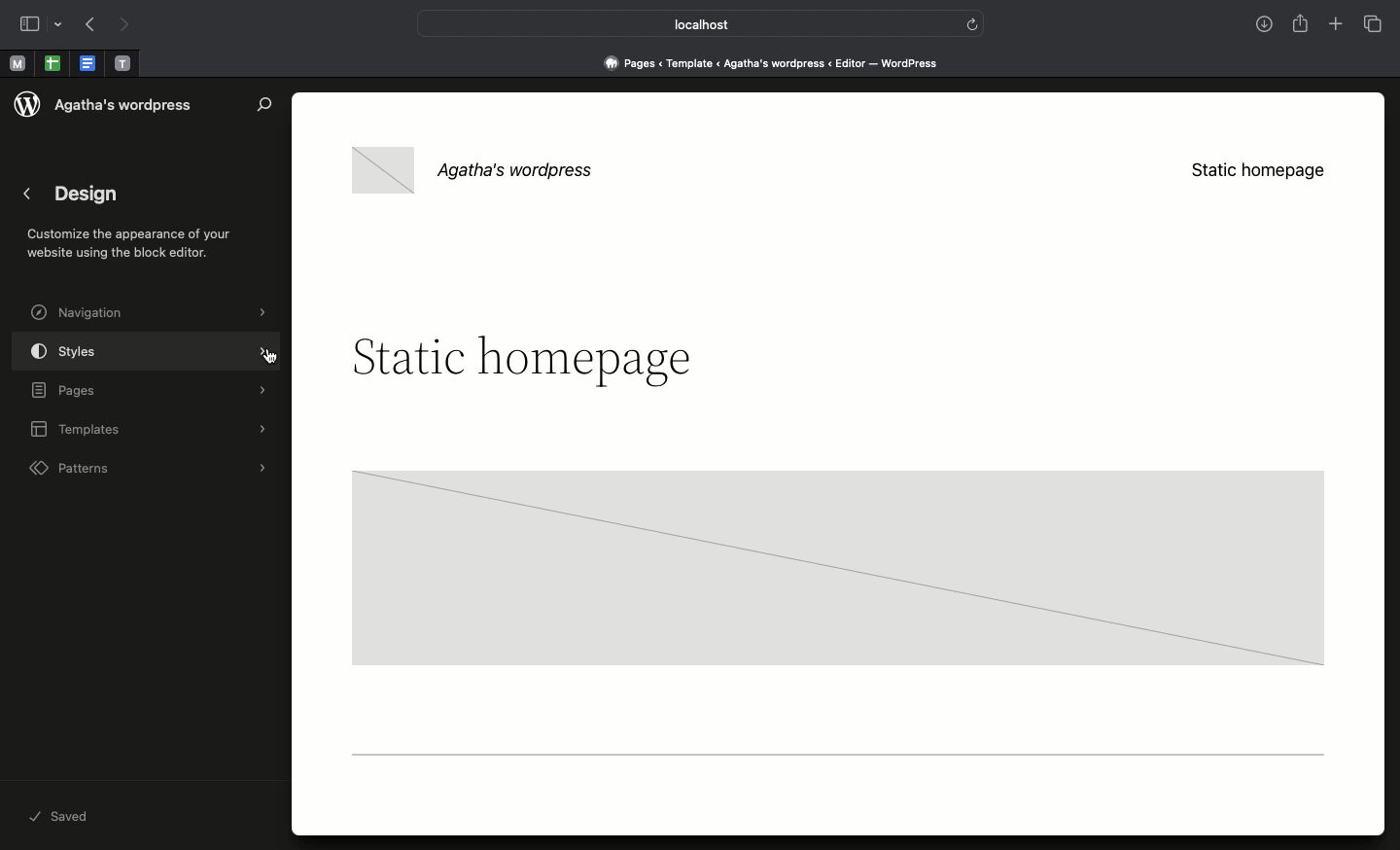 This screenshot has height=850, width=1400. What do you see at coordinates (265, 104) in the screenshot?
I see `Search` at bounding box center [265, 104].